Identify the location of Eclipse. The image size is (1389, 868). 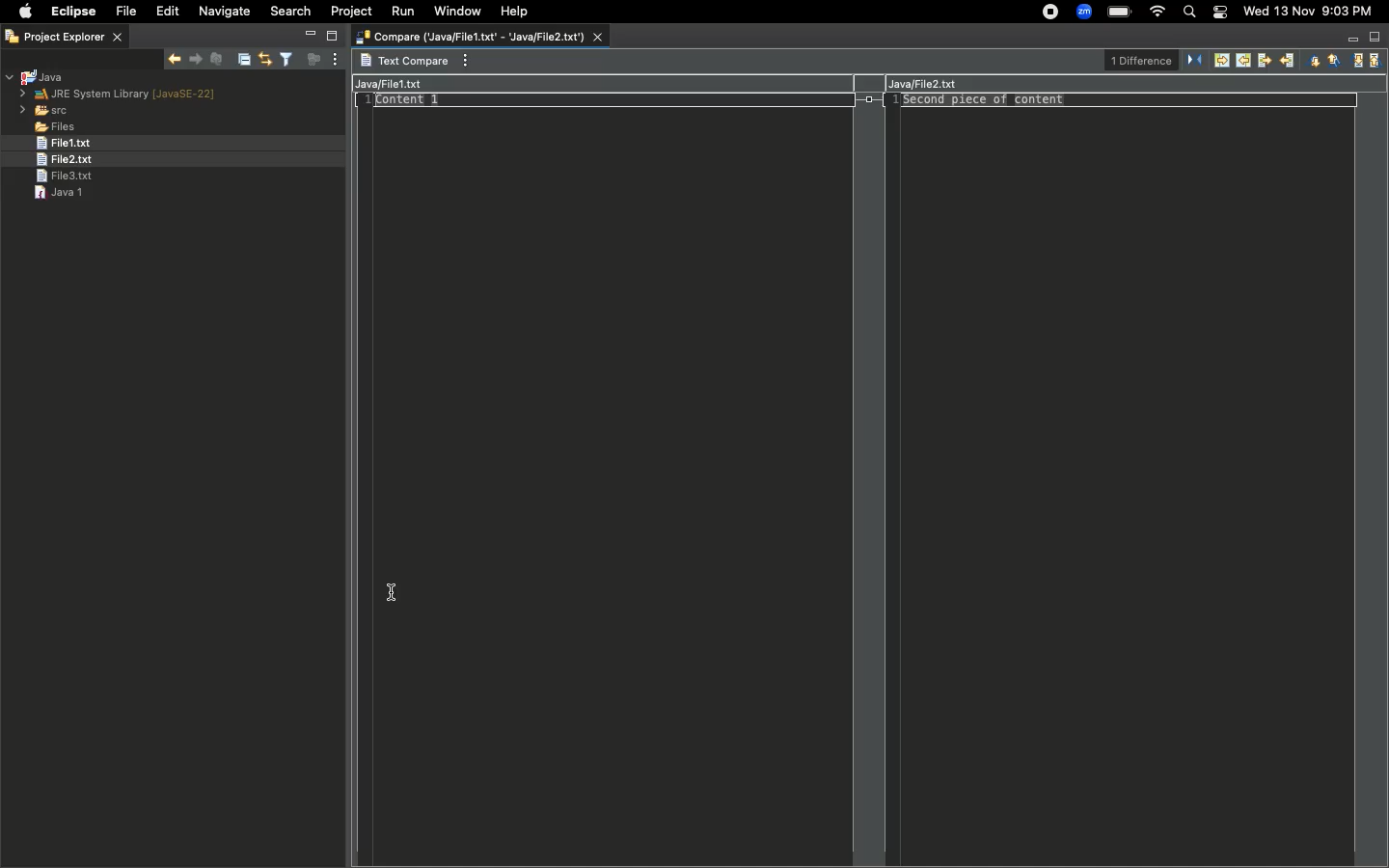
(70, 12).